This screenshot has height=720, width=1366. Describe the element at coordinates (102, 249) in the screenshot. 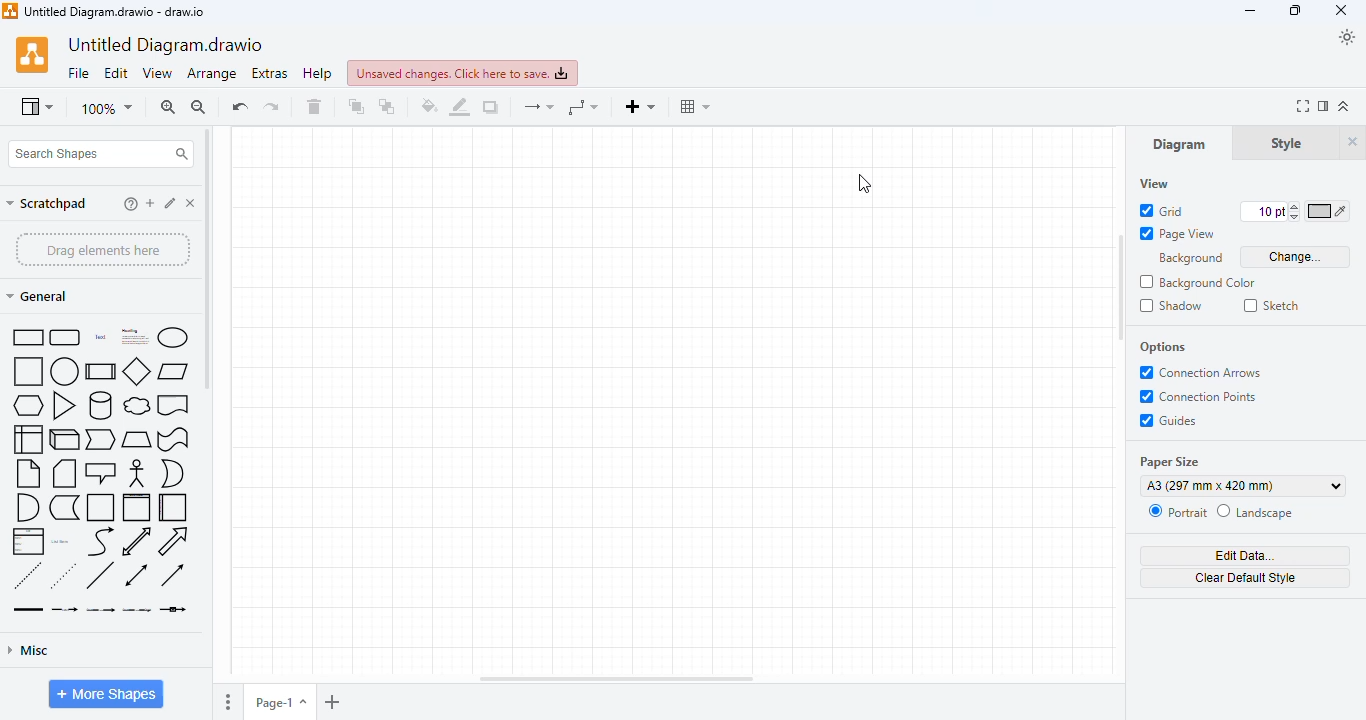

I see `drag elements here` at that location.